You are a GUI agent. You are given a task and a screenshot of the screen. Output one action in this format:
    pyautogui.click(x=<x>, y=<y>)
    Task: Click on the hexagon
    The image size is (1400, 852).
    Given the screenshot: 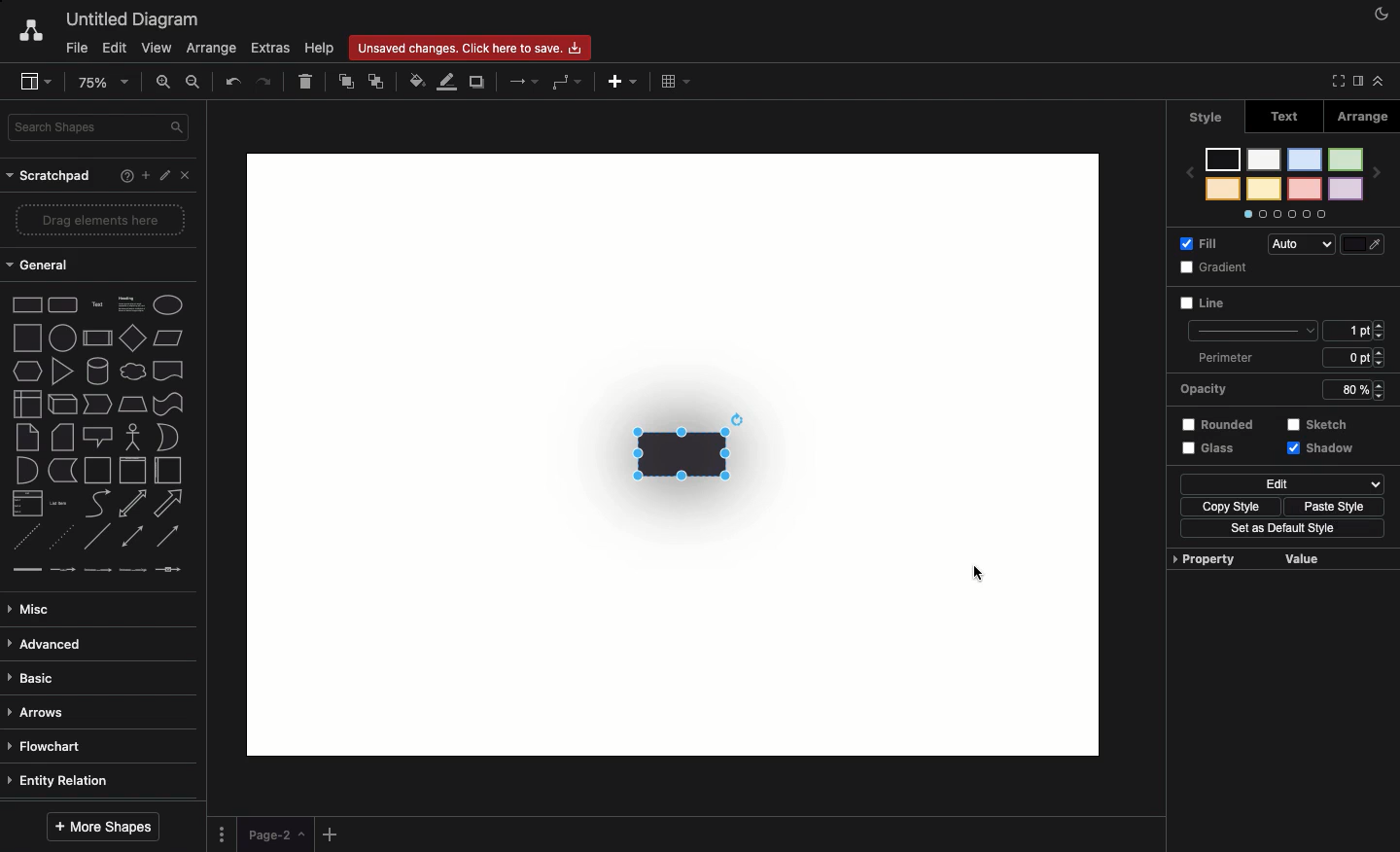 What is the action you would take?
    pyautogui.click(x=24, y=371)
    